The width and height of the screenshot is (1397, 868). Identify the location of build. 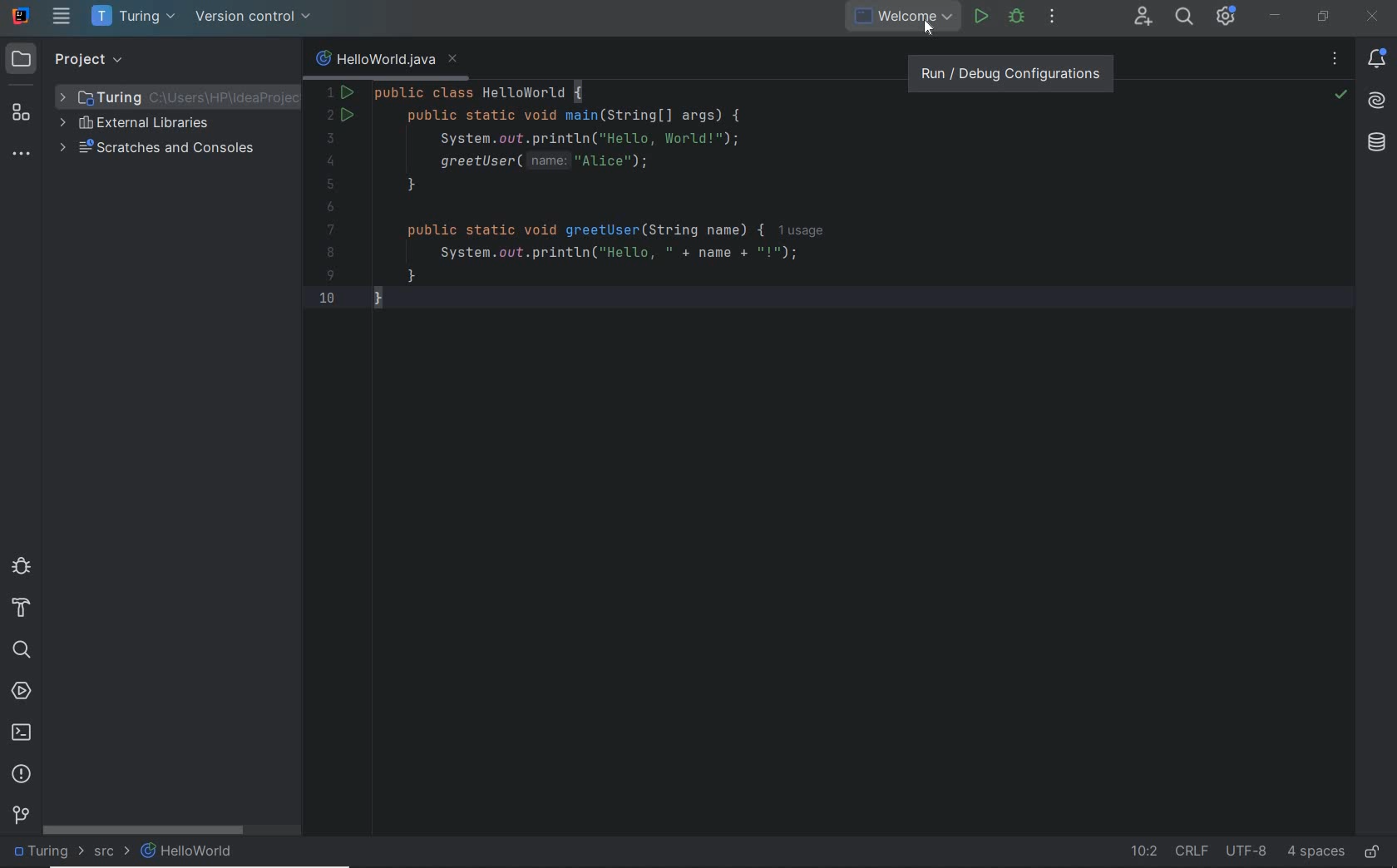
(22, 609).